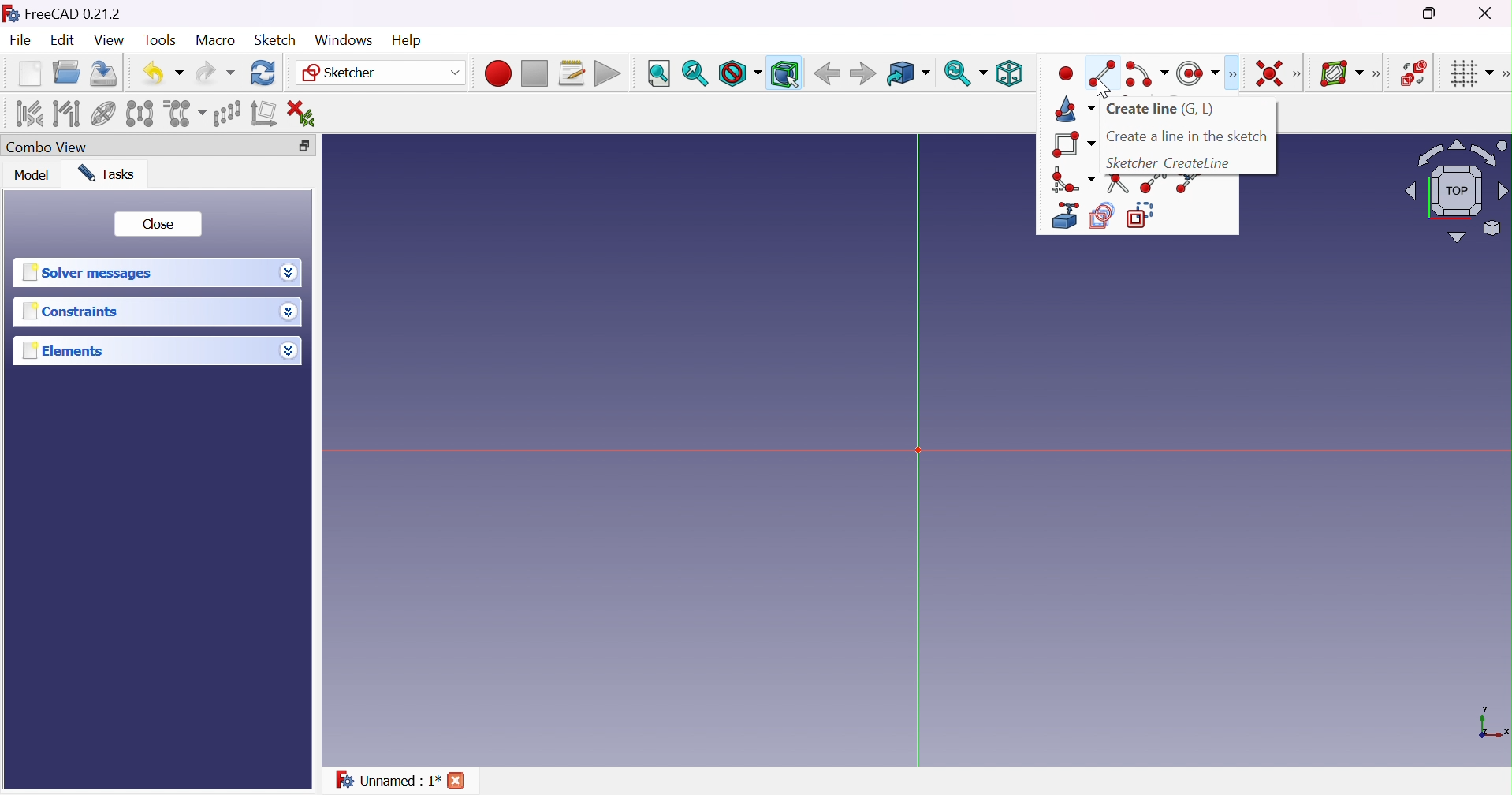 Image resolution: width=1512 pixels, height=795 pixels. I want to click on Show/hide internal geometry, so click(102, 114).